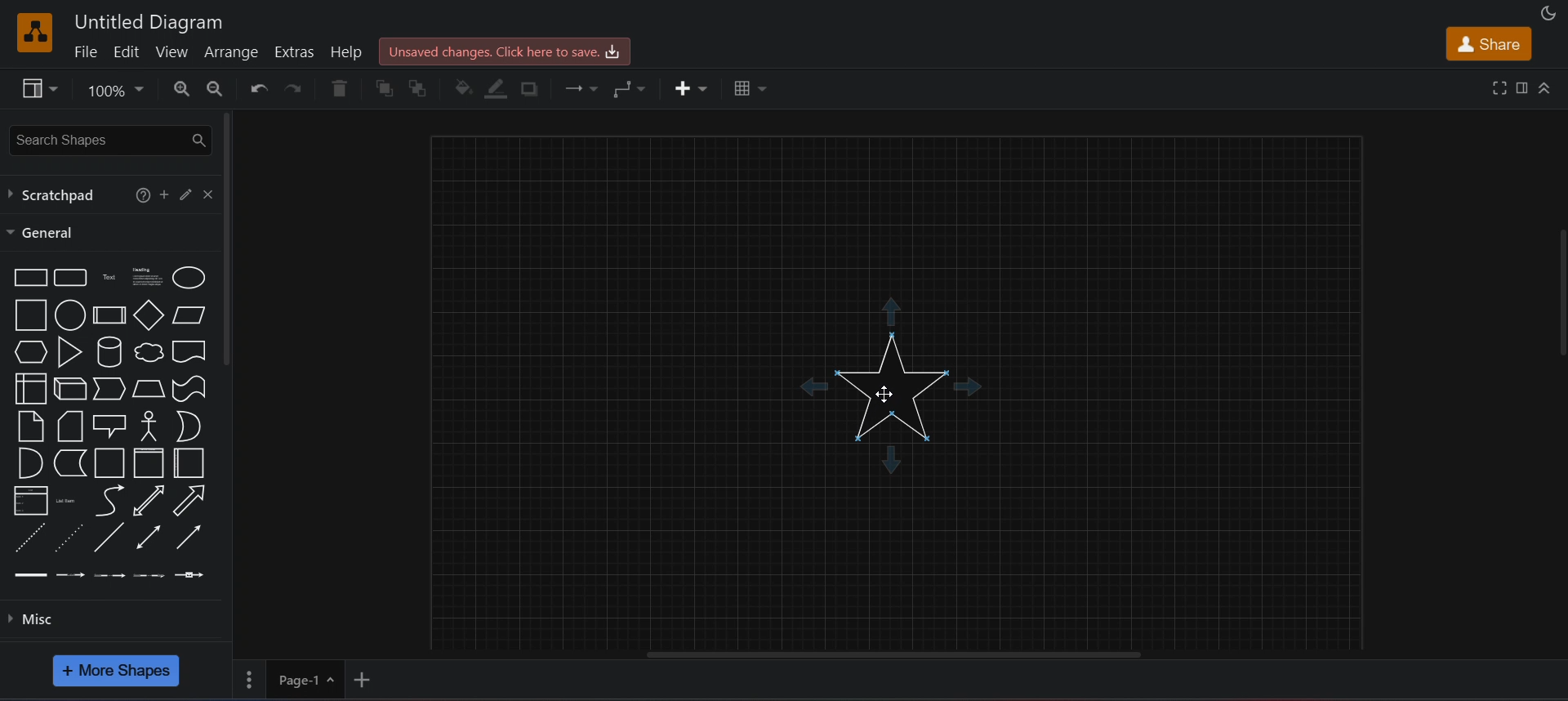  What do you see at coordinates (899, 658) in the screenshot?
I see `horizontal scroll bar` at bounding box center [899, 658].